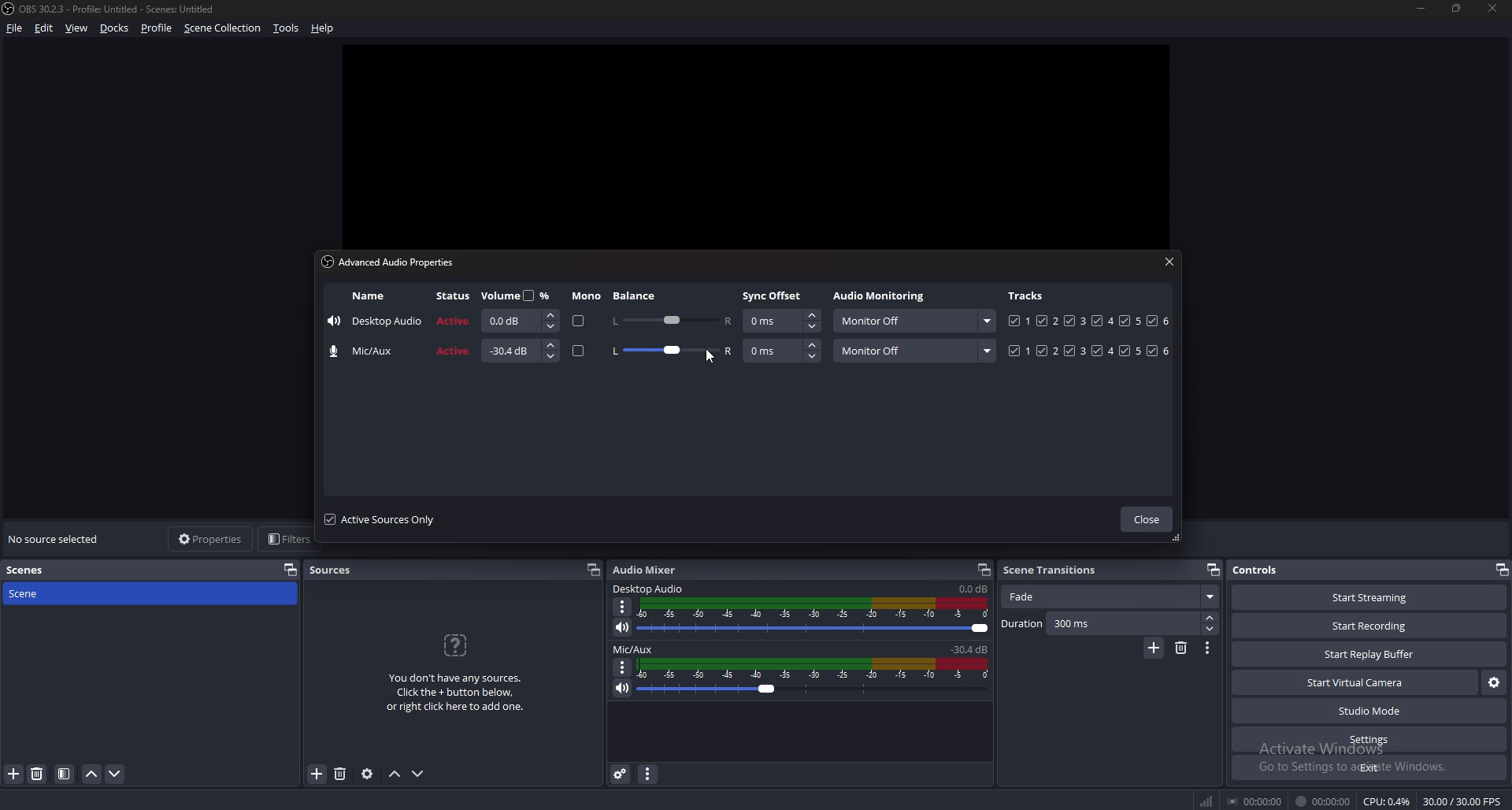  What do you see at coordinates (1102, 624) in the screenshot?
I see `duration` at bounding box center [1102, 624].